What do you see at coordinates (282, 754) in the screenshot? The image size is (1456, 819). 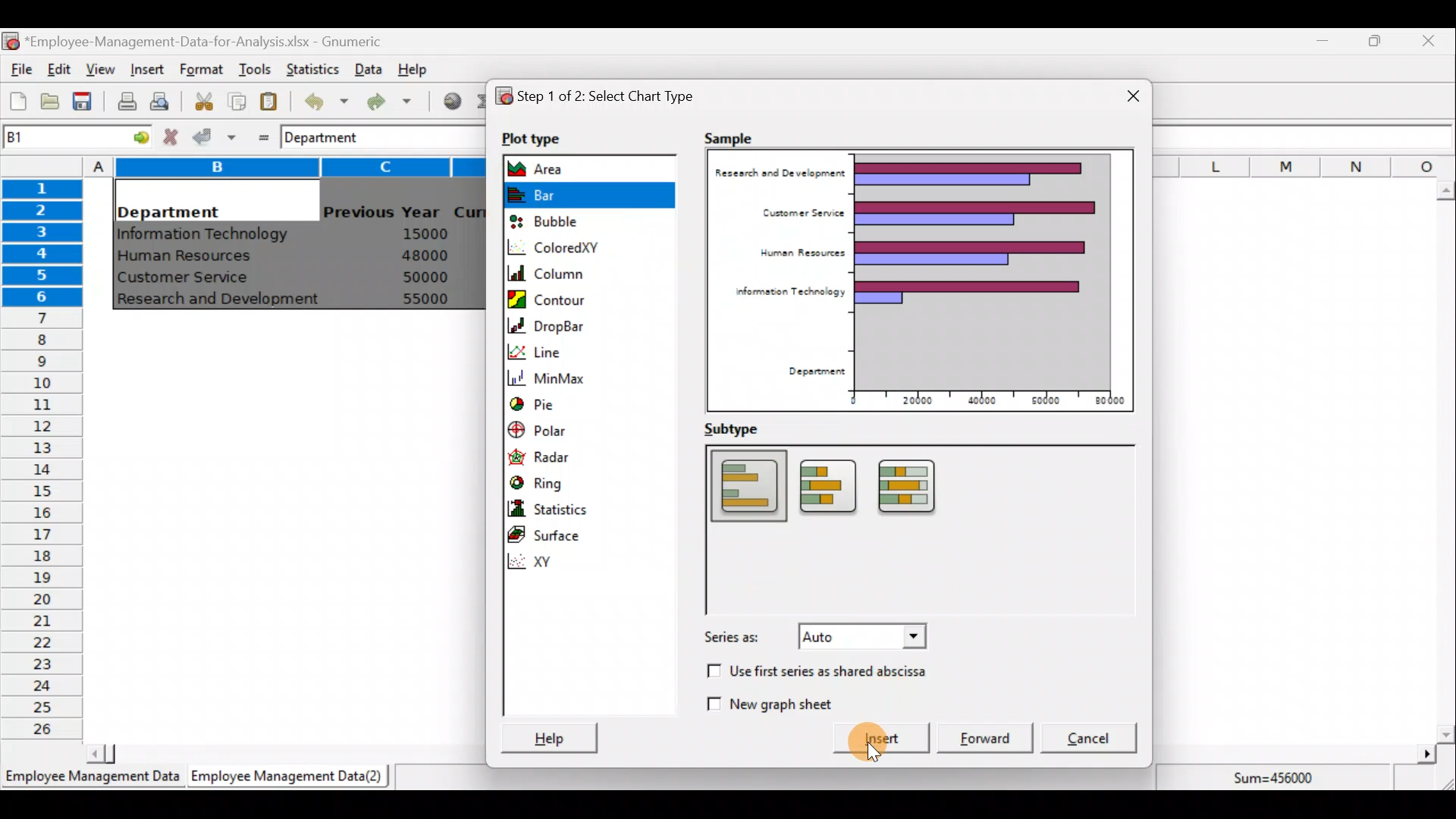 I see `Scroll bar` at bounding box center [282, 754].